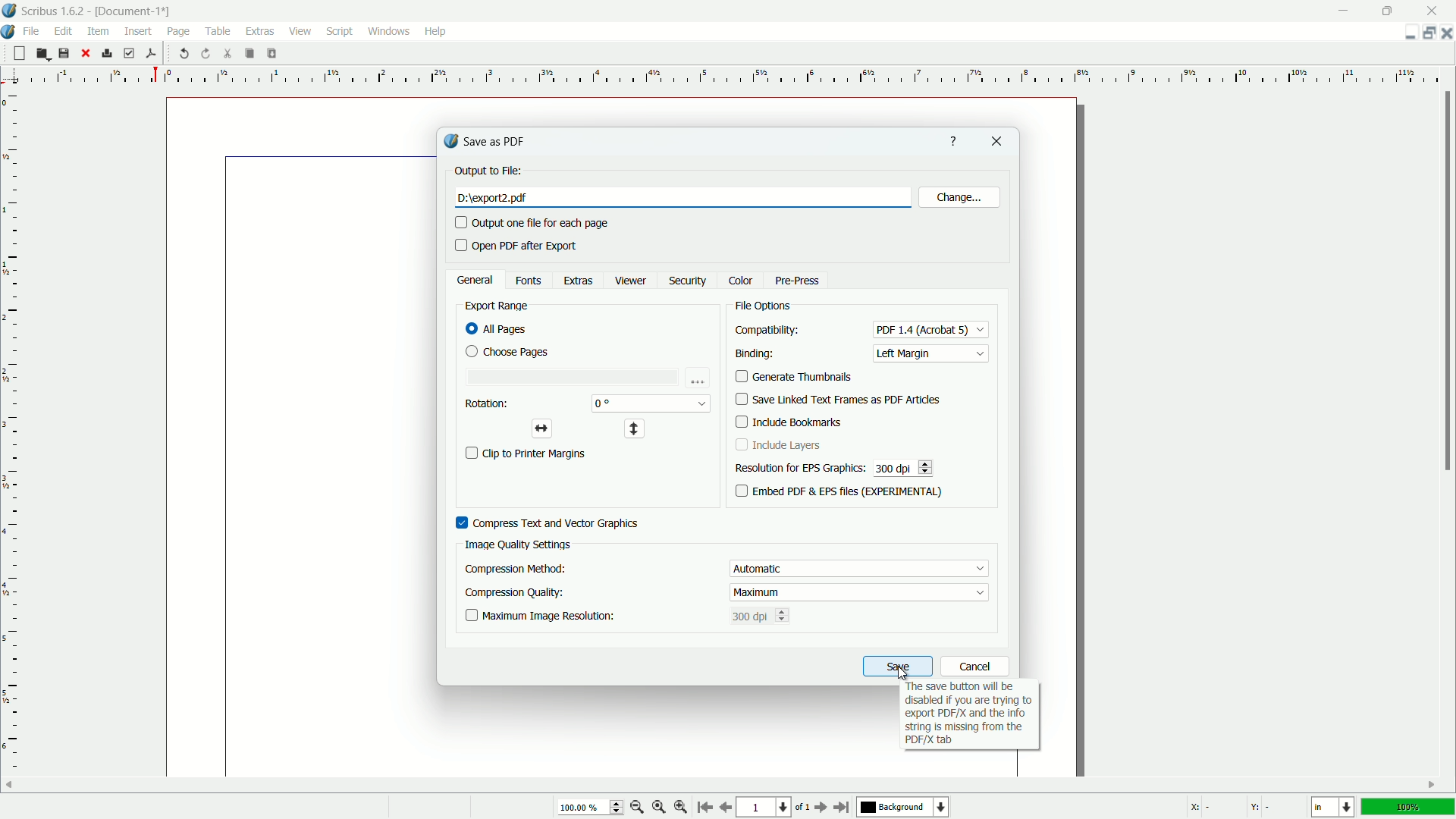  What do you see at coordinates (204, 53) in the screenshot?
I see `redo` at bounding box center [204, 53].